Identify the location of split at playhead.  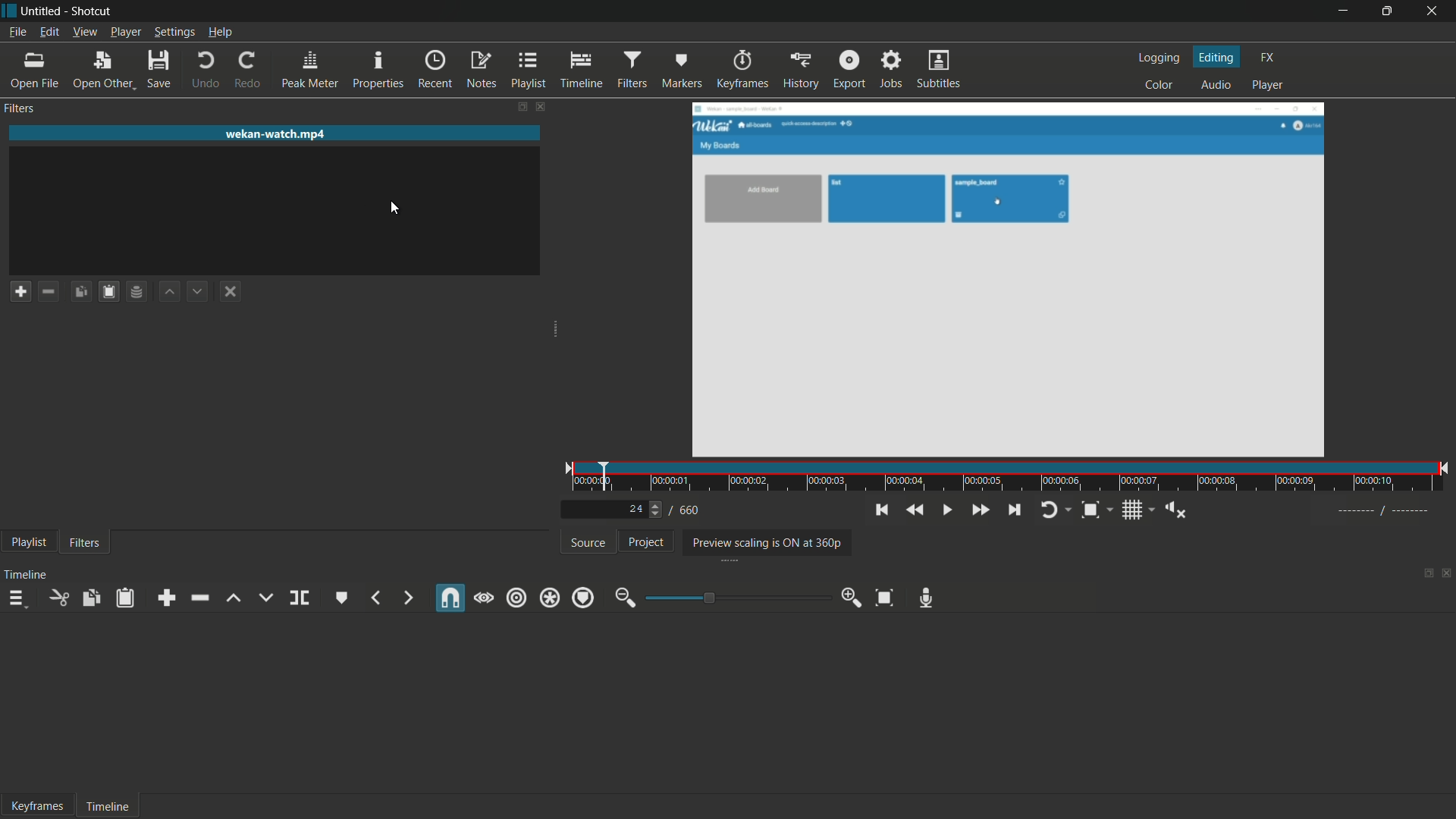
(302, 598).